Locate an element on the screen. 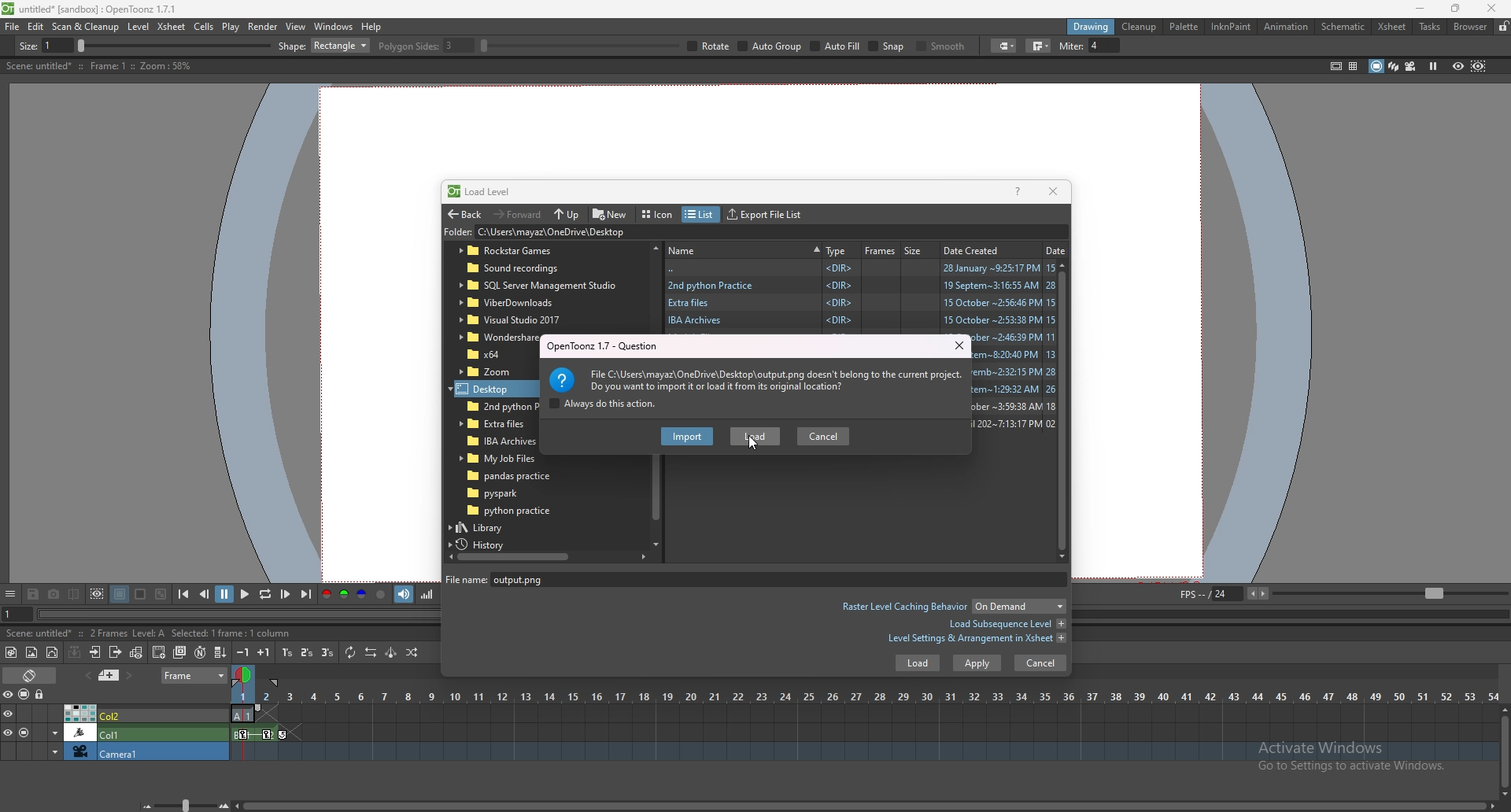  library is located at coordinates (495, 527).